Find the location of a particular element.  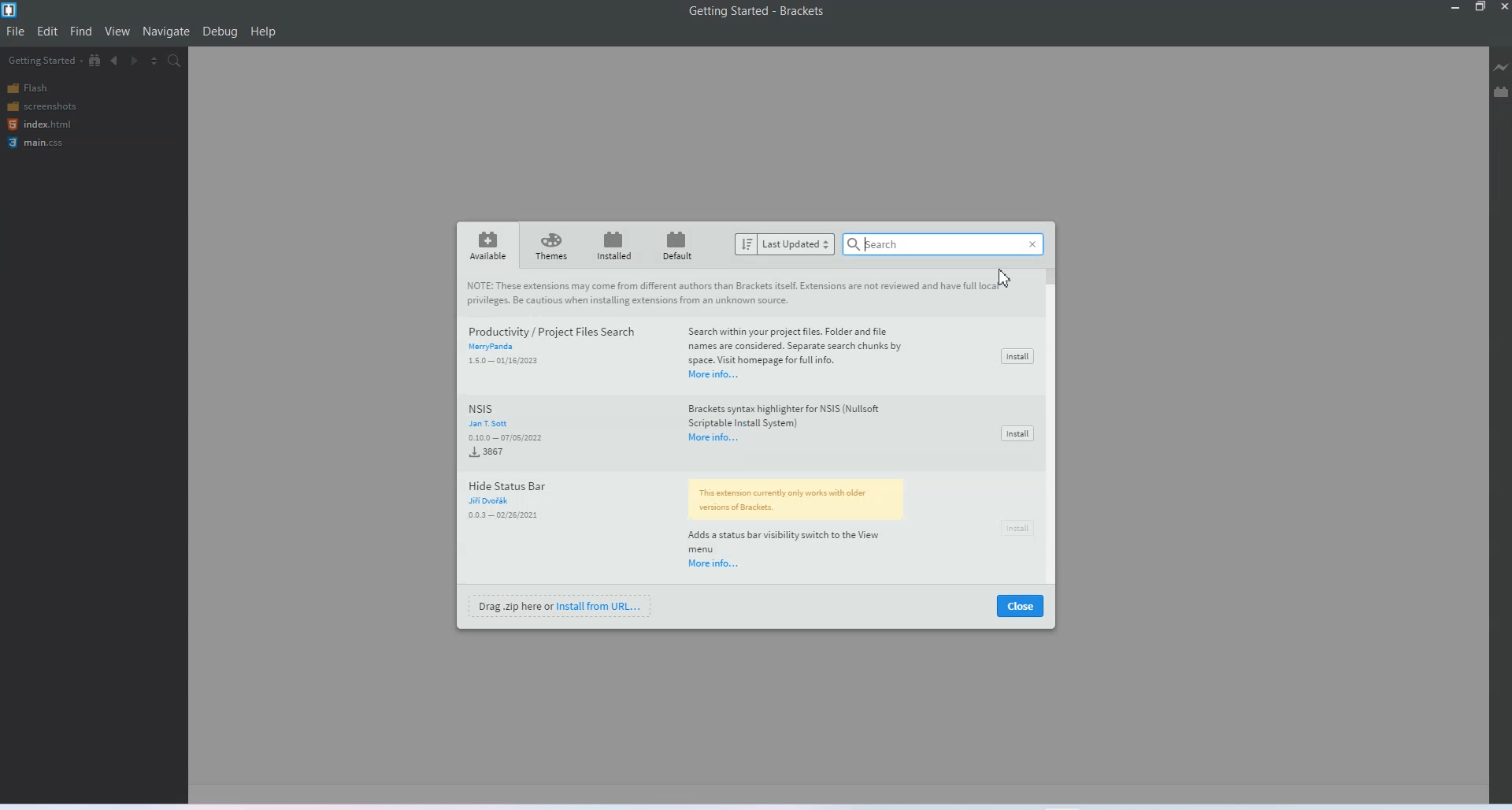

theme is located at coordinates (553, 245).